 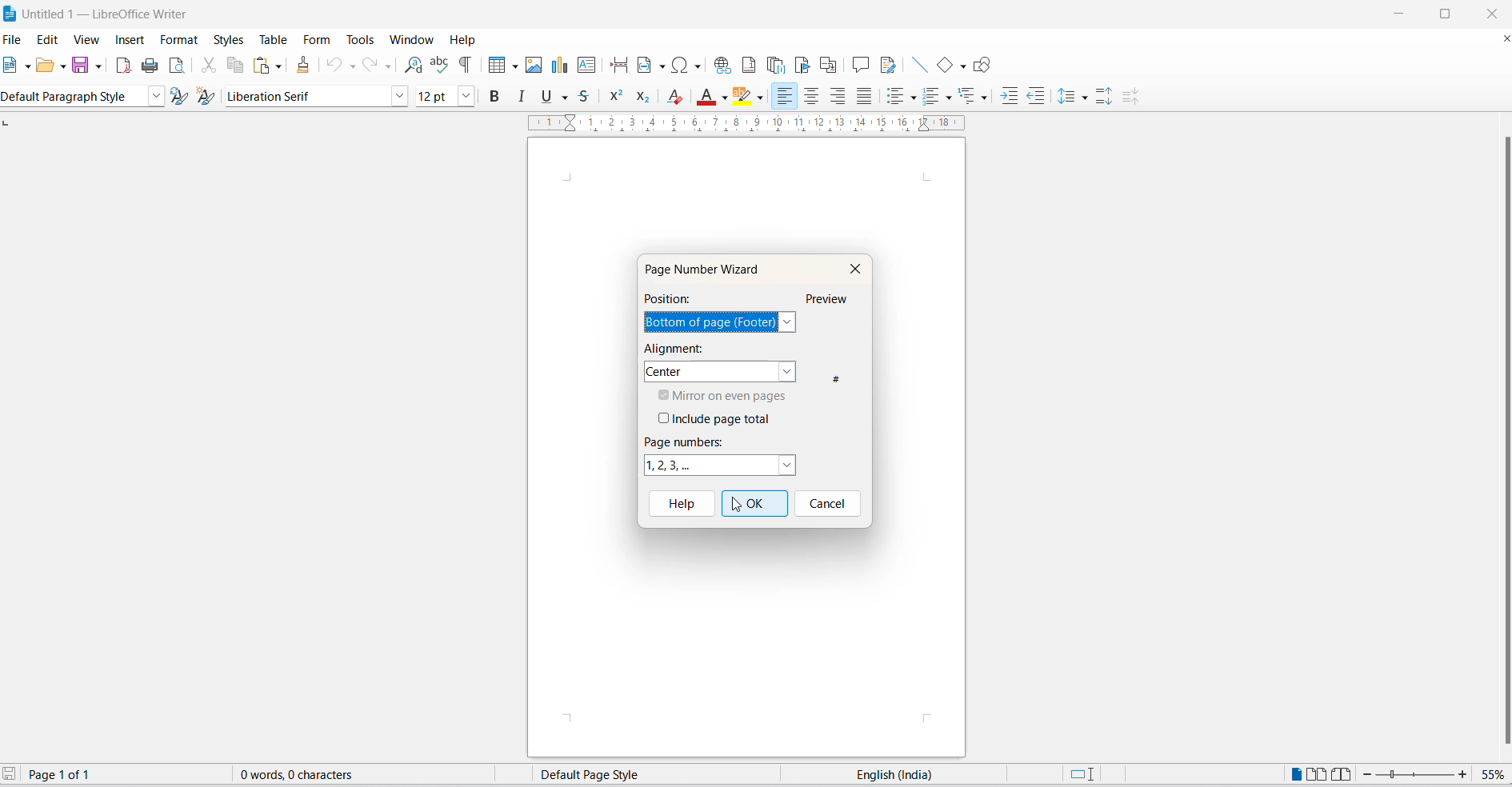 What do you see at coordinates (494, 95) in the screenshot?
I see `bold` at bounding box center [494, 95].